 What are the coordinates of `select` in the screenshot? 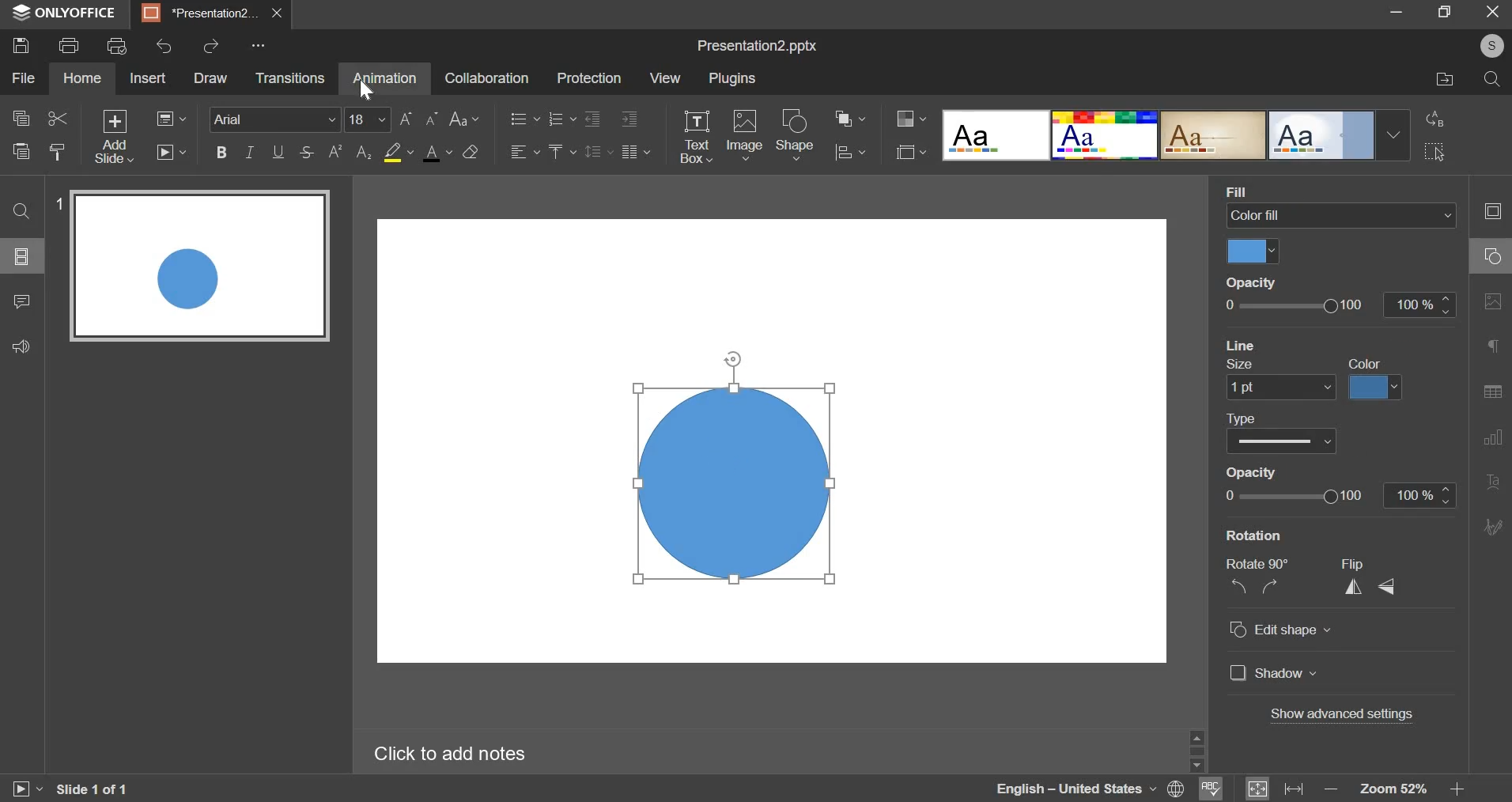 It's located at (1437, 149).